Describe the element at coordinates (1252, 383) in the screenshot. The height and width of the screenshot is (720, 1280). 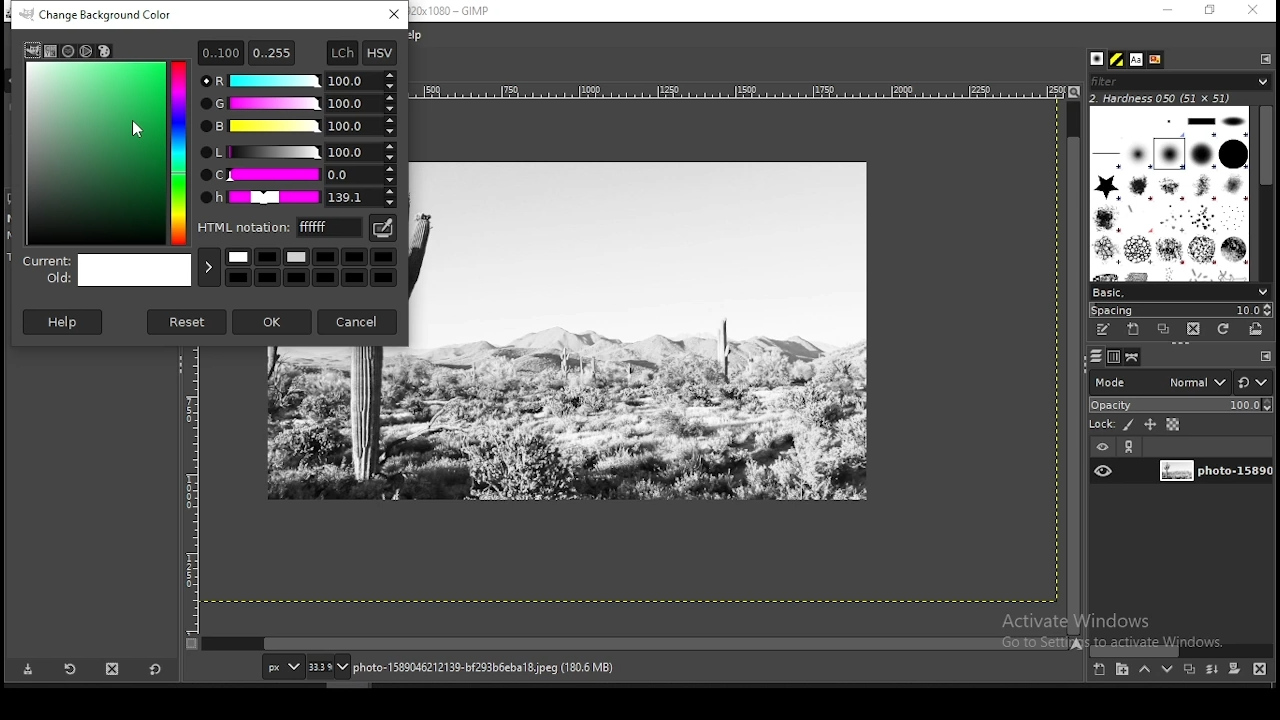
I see `switch to other modes` at that location.